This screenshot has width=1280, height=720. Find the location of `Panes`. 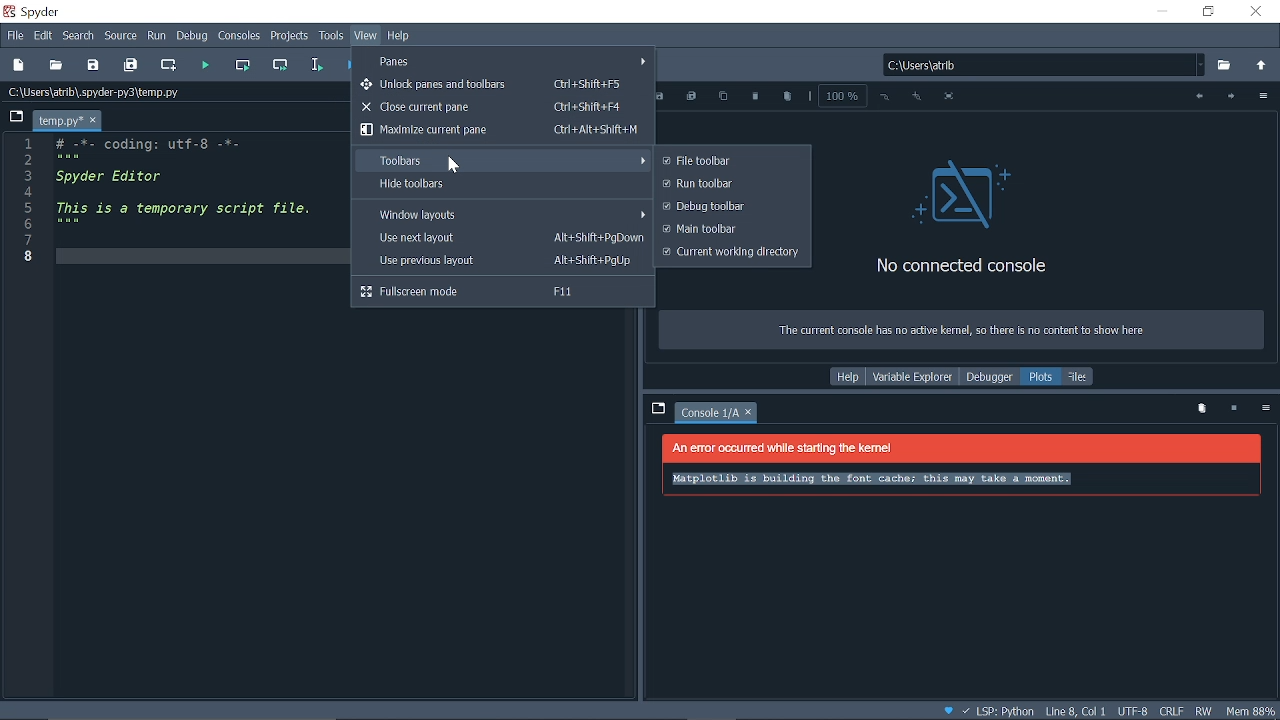

Panes is located at coordinates (511, 60).